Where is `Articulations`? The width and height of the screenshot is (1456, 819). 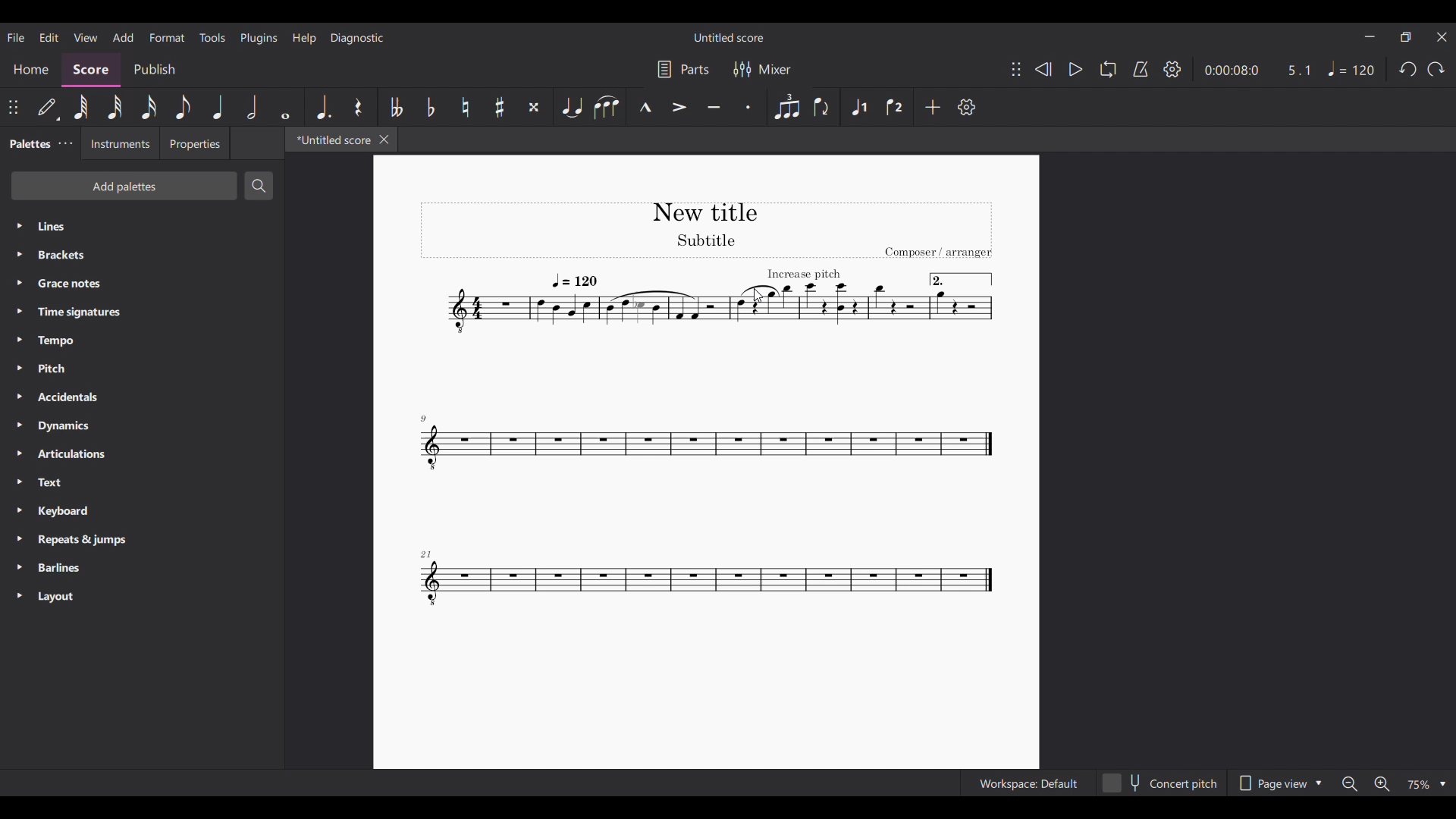
Articulations is located at coordinates (143, 453).